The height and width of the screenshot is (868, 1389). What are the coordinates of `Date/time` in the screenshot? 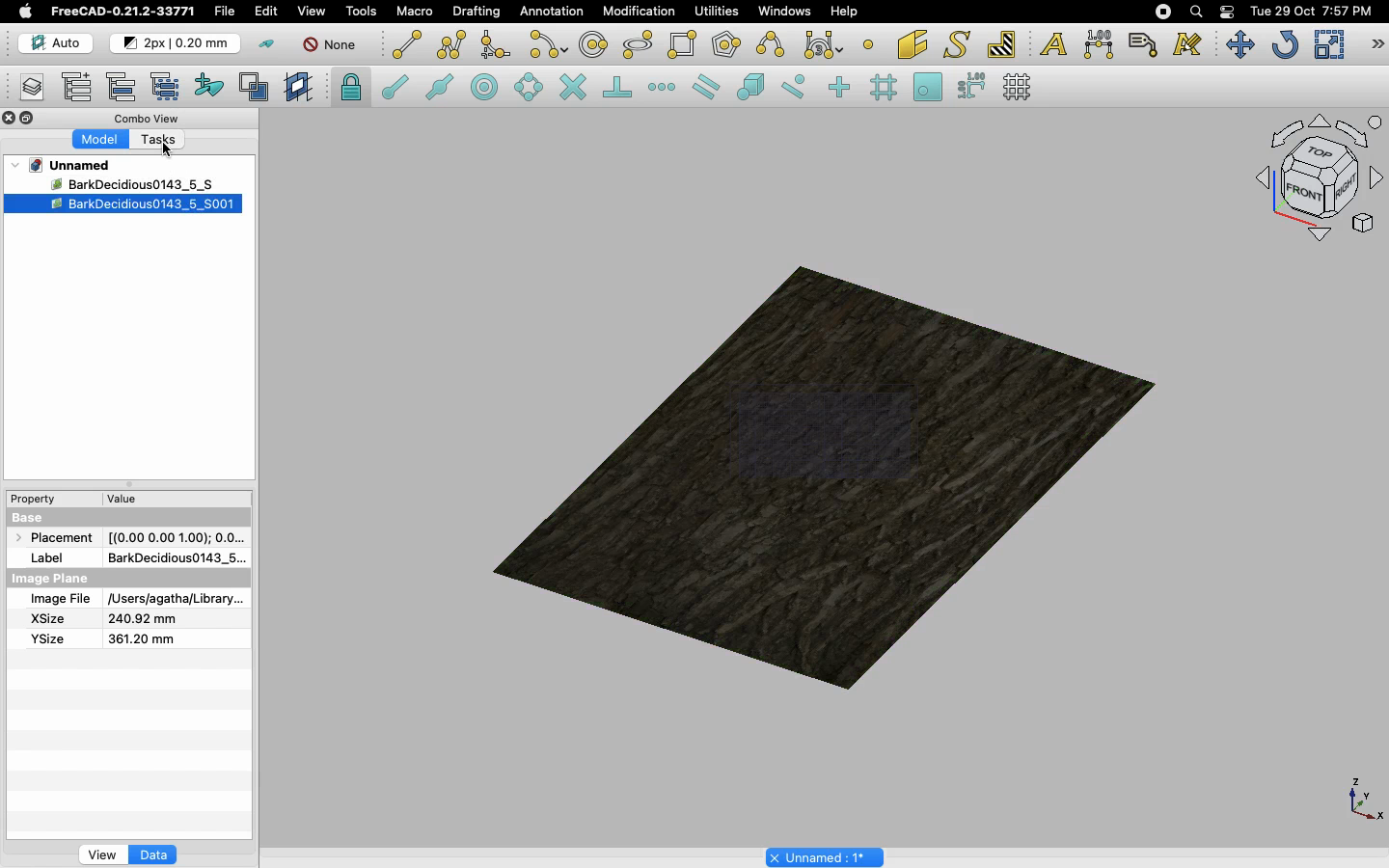 It's located at (1311, 10).